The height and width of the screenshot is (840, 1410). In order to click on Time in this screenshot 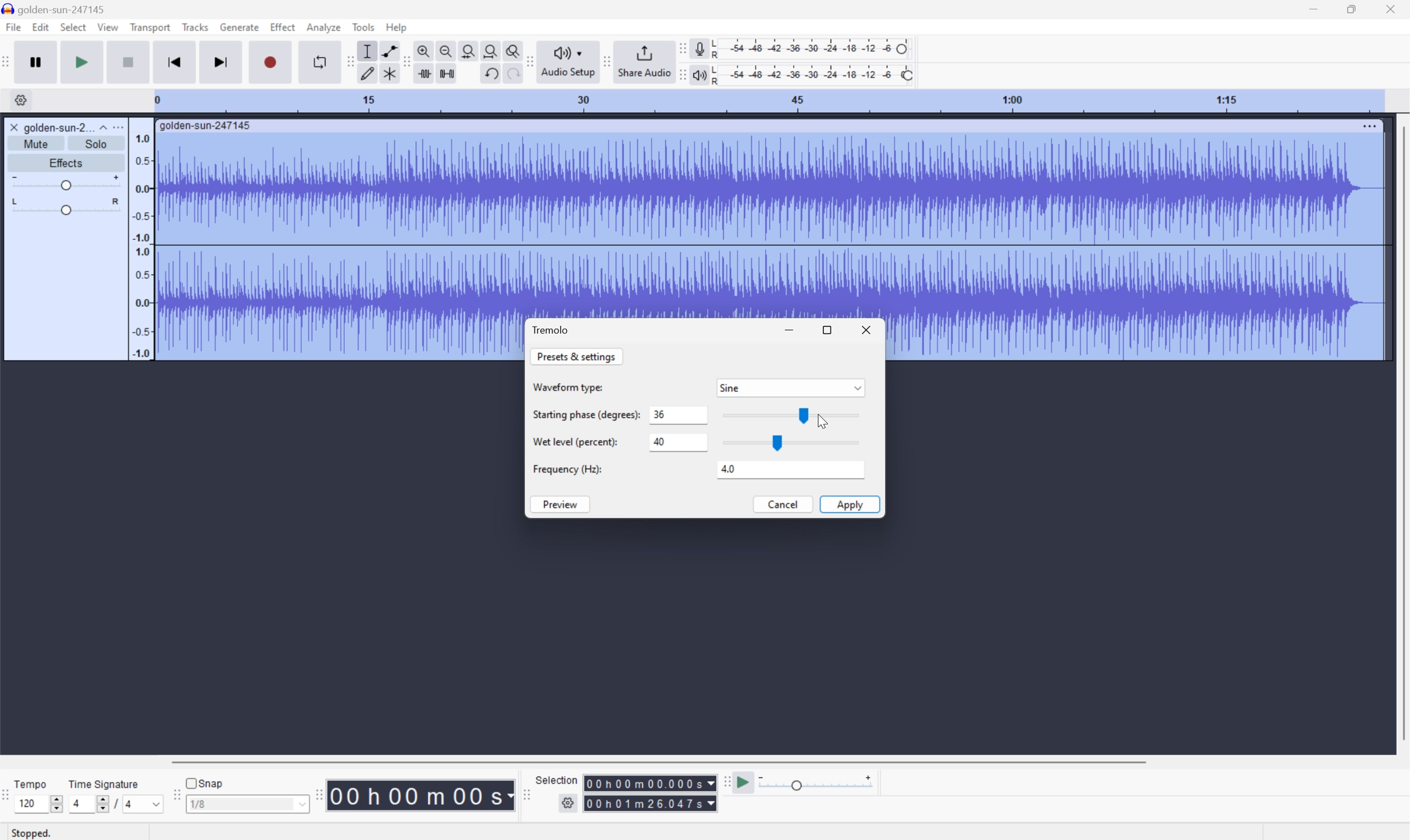, I will do `click(421, 794)`.